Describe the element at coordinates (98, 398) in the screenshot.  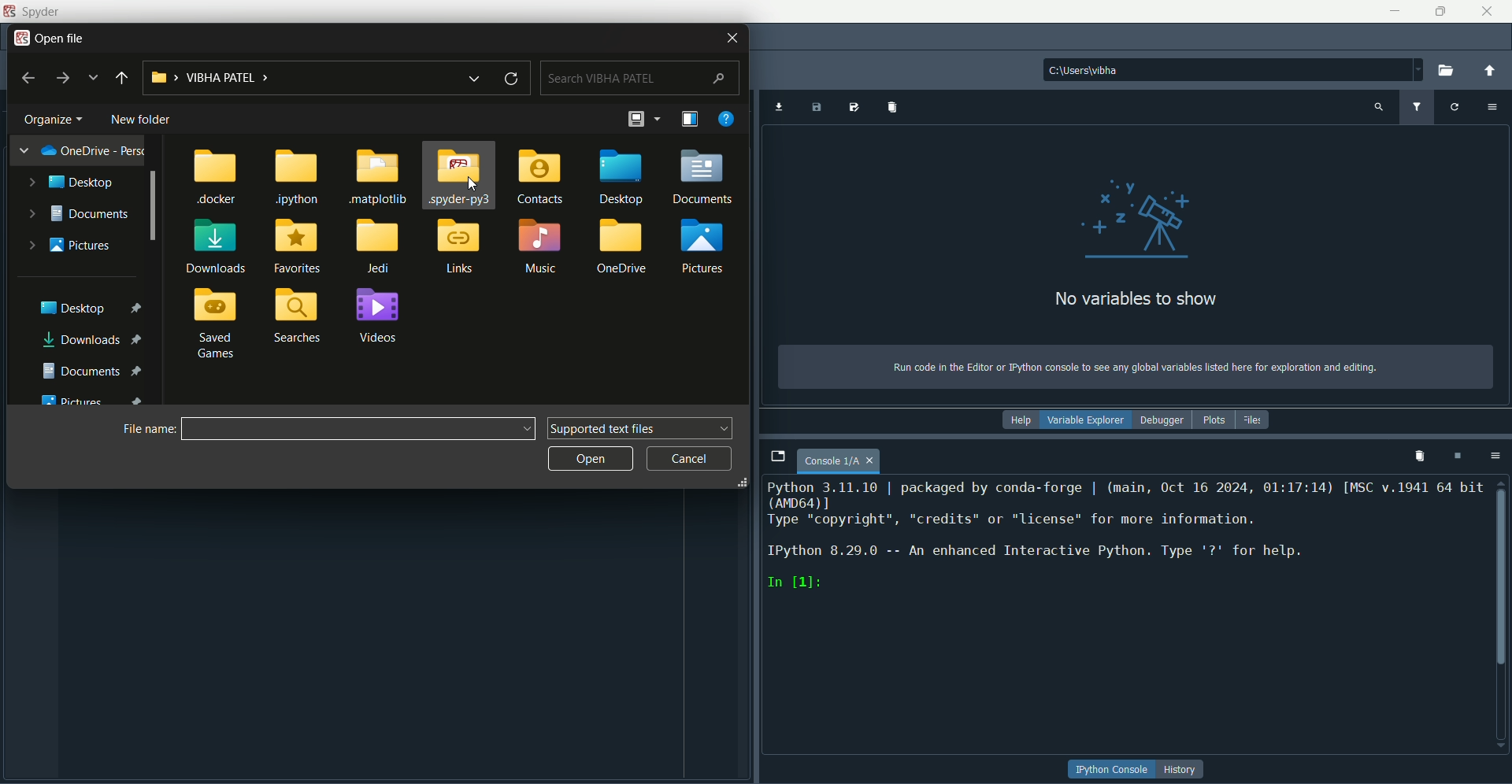
I see `pictures` at that location.